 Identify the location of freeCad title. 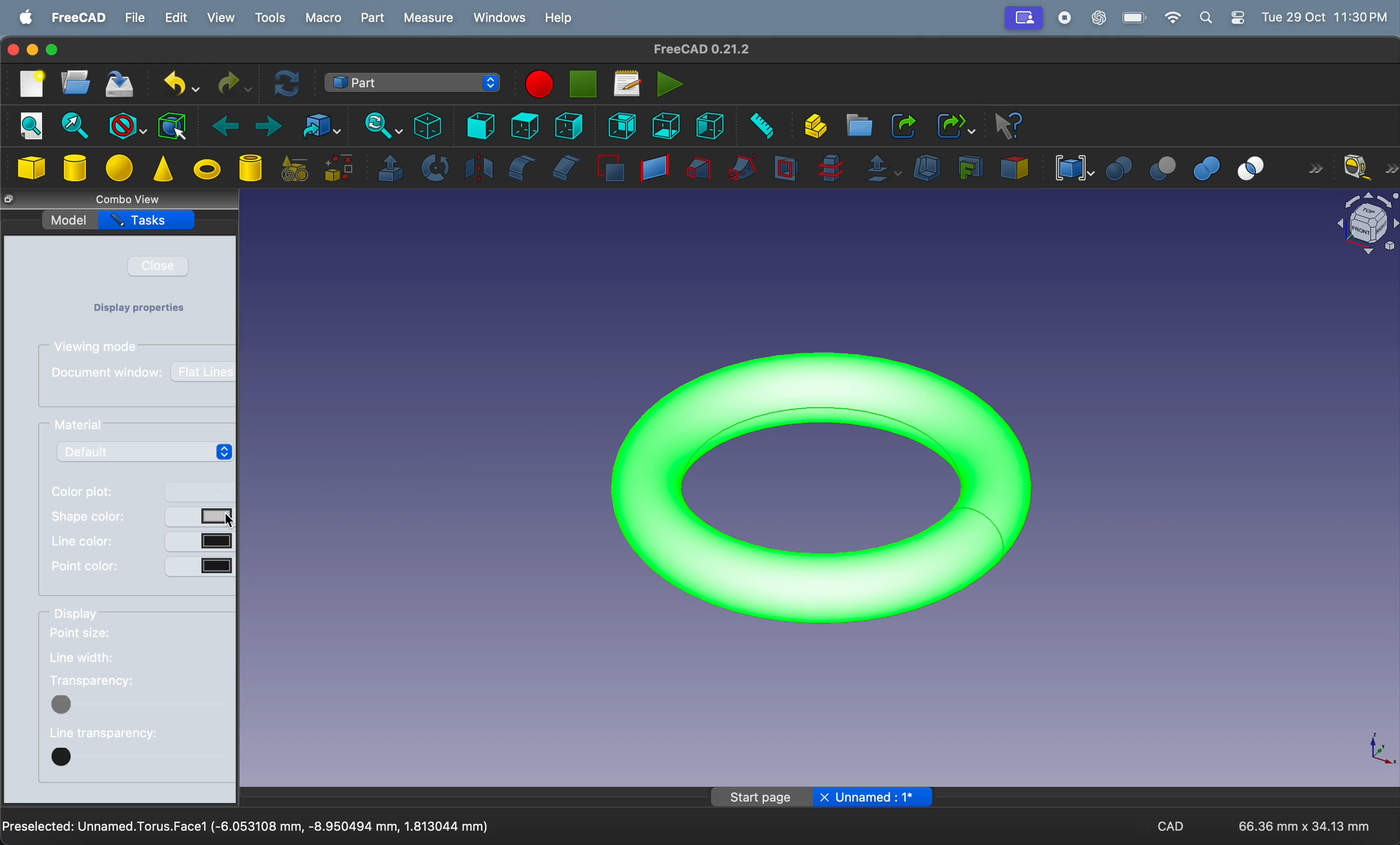
(695, 49).